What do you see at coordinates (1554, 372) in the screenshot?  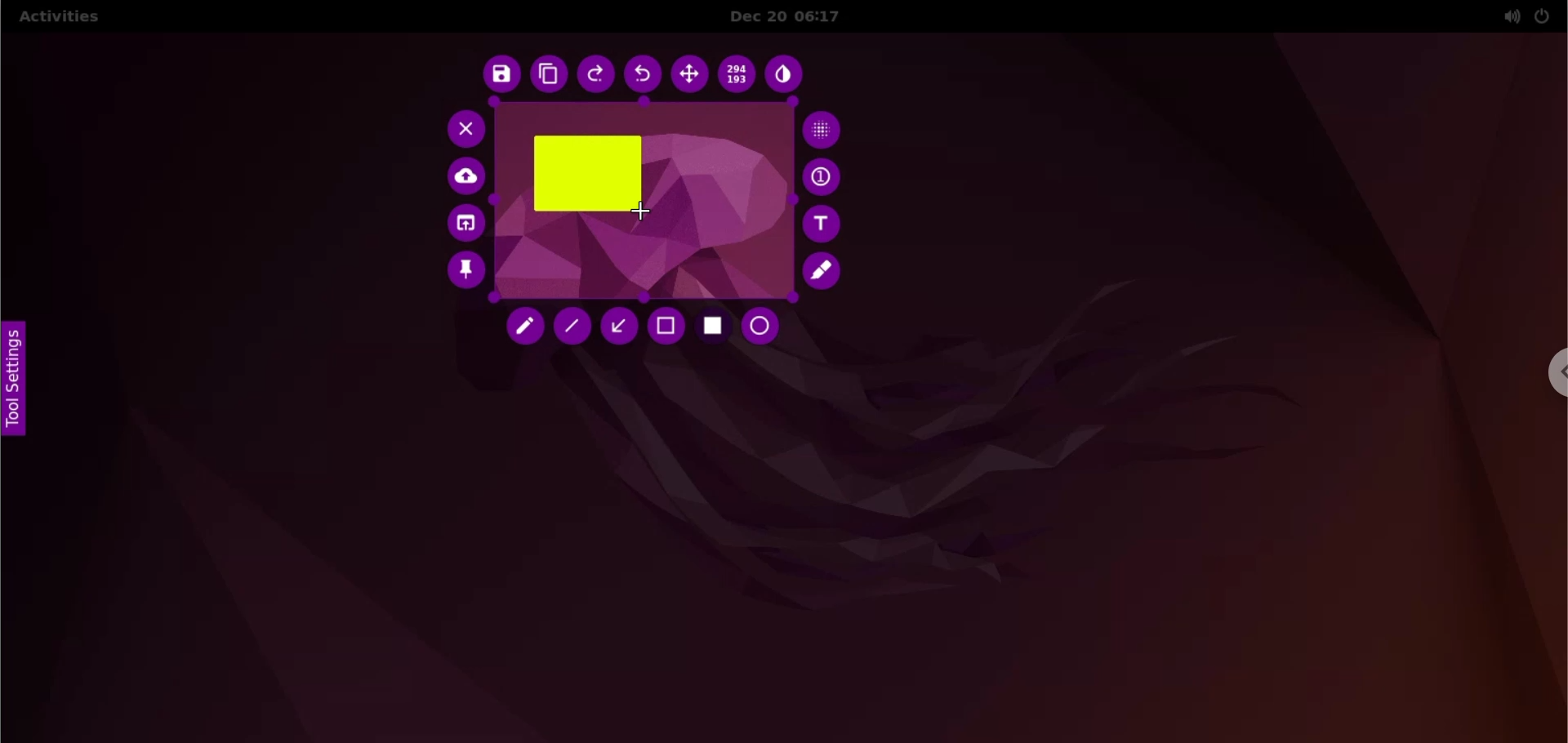 I see `chrome options` at bounding box center [1554, 372].